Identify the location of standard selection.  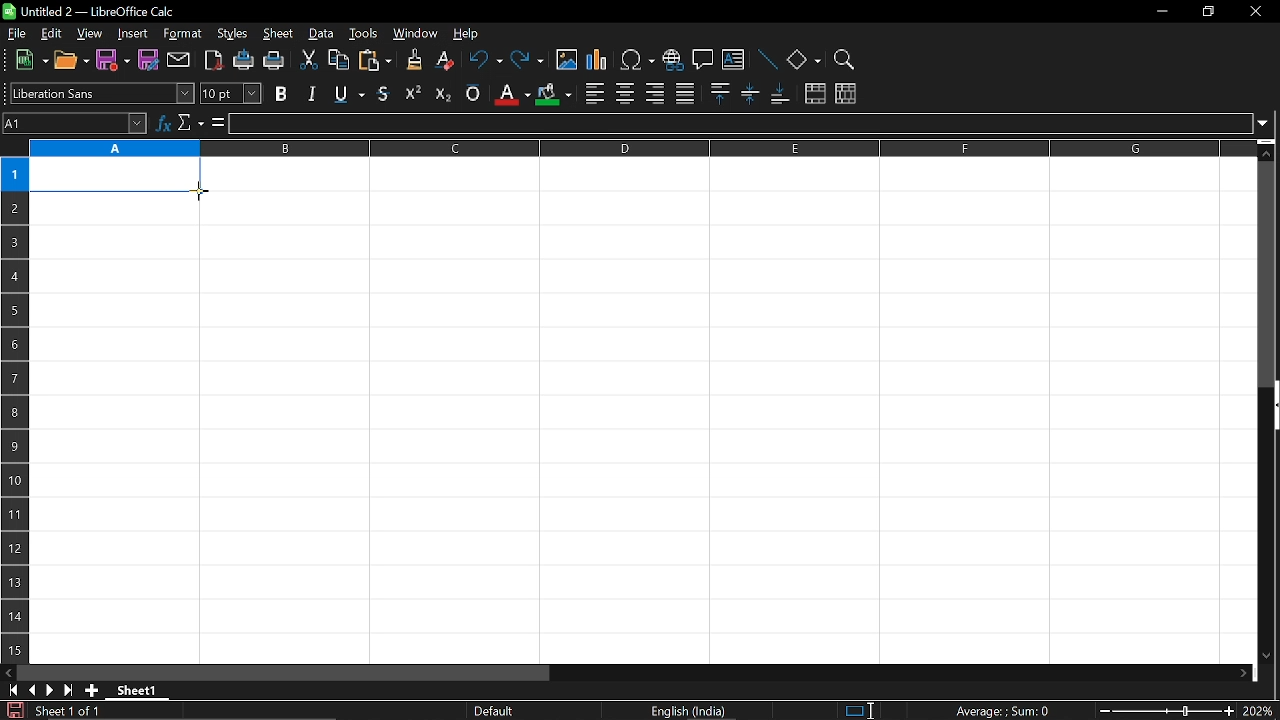
(860, 711).